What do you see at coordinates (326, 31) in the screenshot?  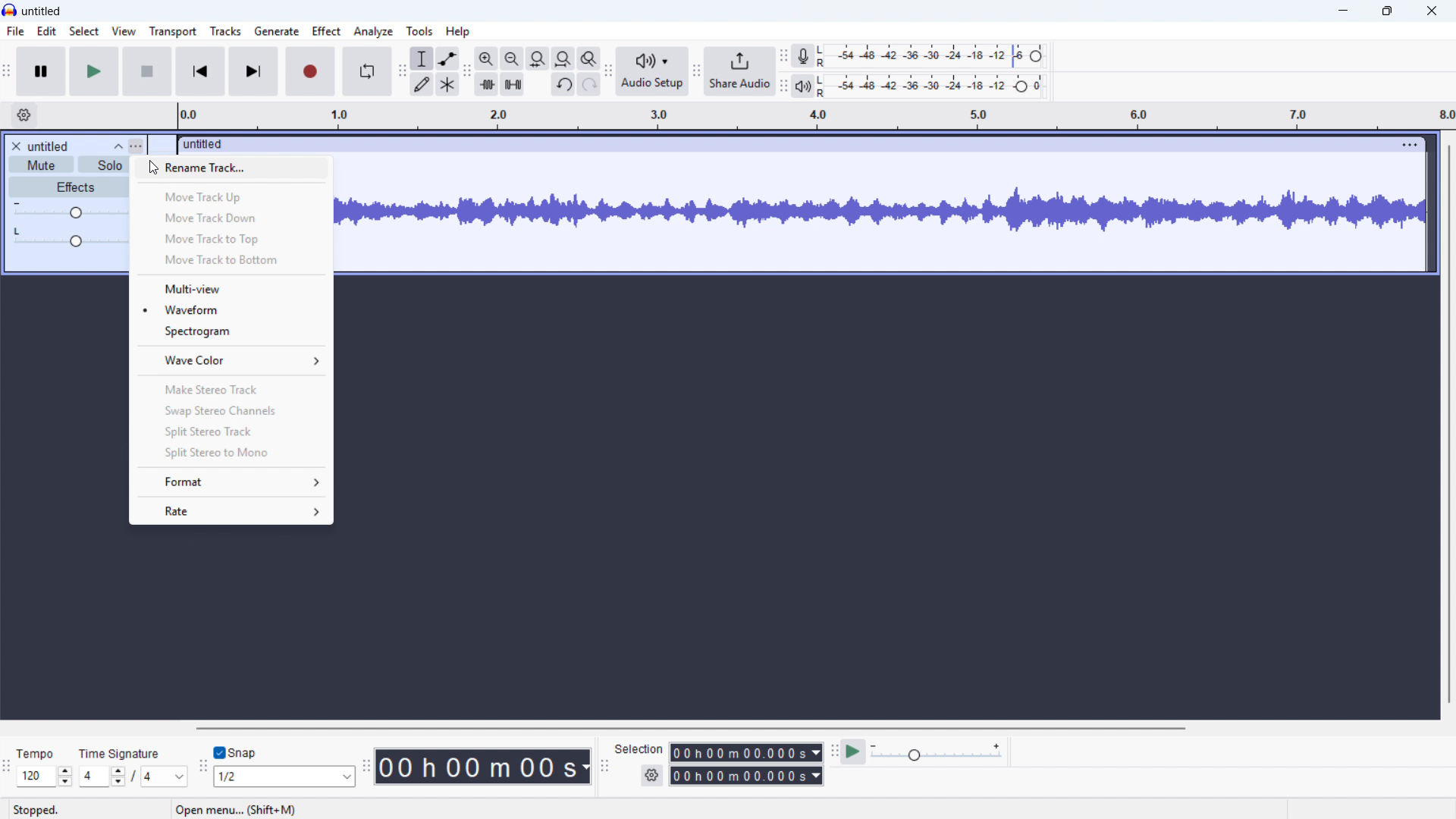 I see `Effect ` at bounding box center [326, 31].